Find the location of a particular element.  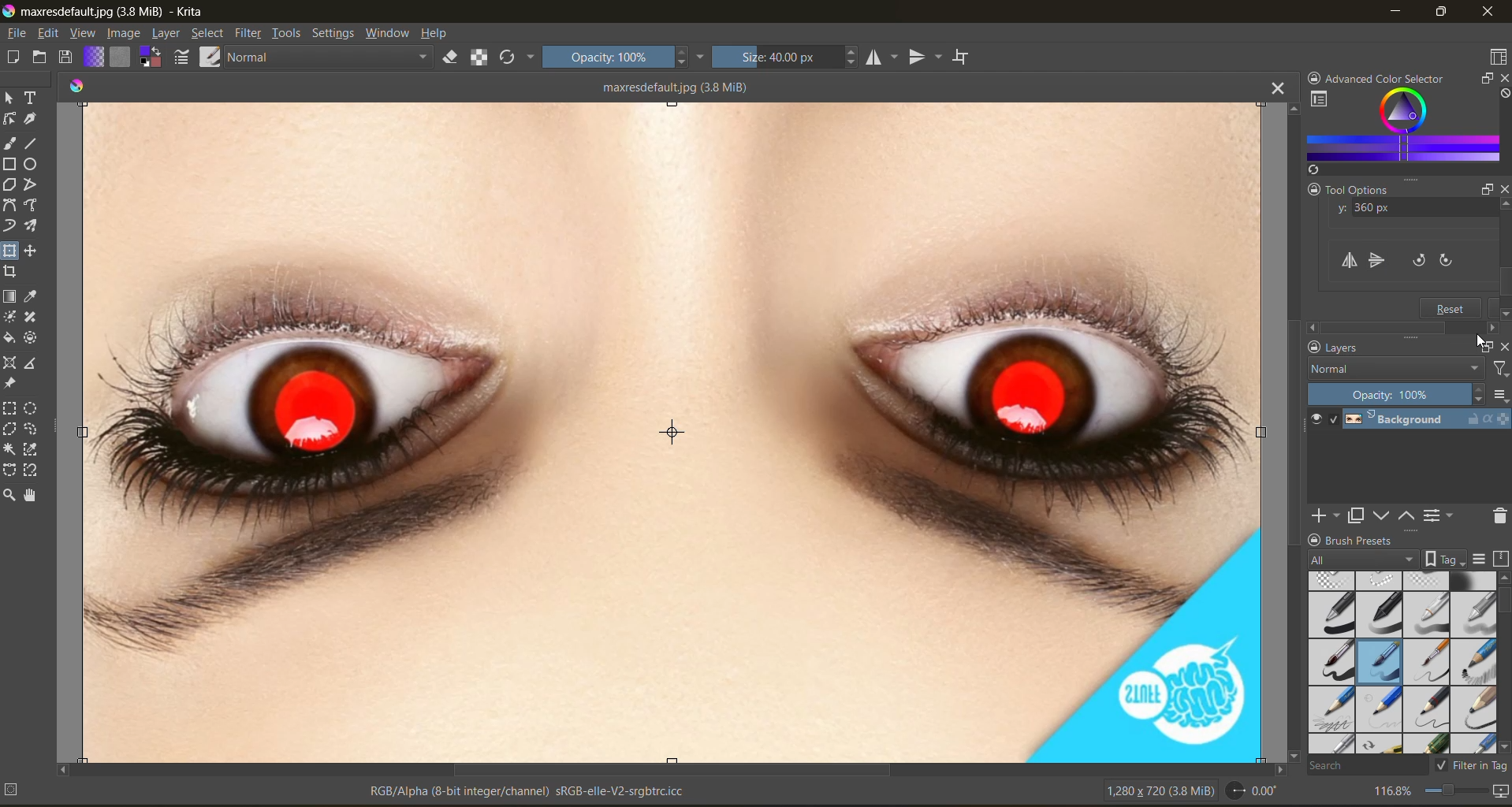

edit brush settings is located at coordinates (185, 59).